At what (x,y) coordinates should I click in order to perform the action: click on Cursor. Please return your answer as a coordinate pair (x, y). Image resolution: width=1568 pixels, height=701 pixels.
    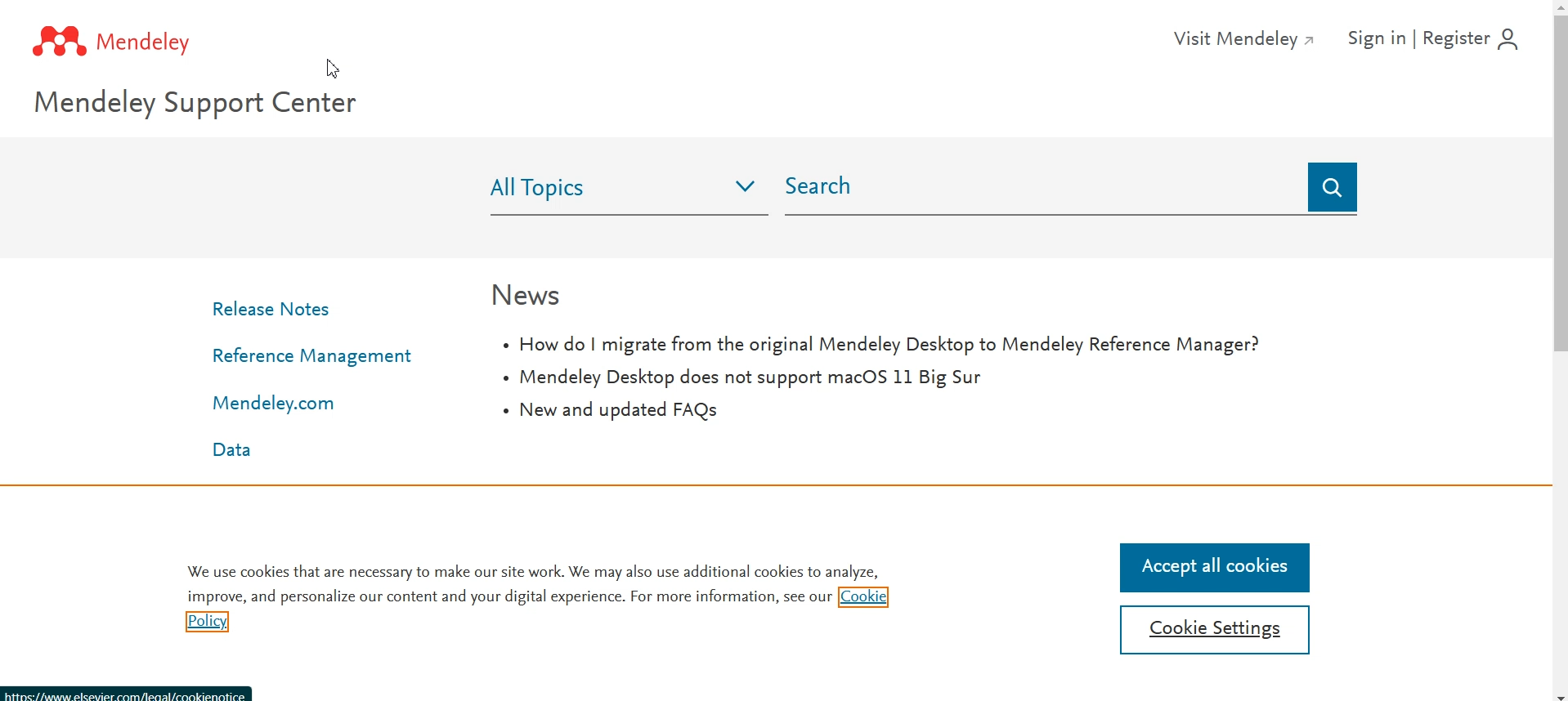
    Looking at the image, I should click on (334, 68).